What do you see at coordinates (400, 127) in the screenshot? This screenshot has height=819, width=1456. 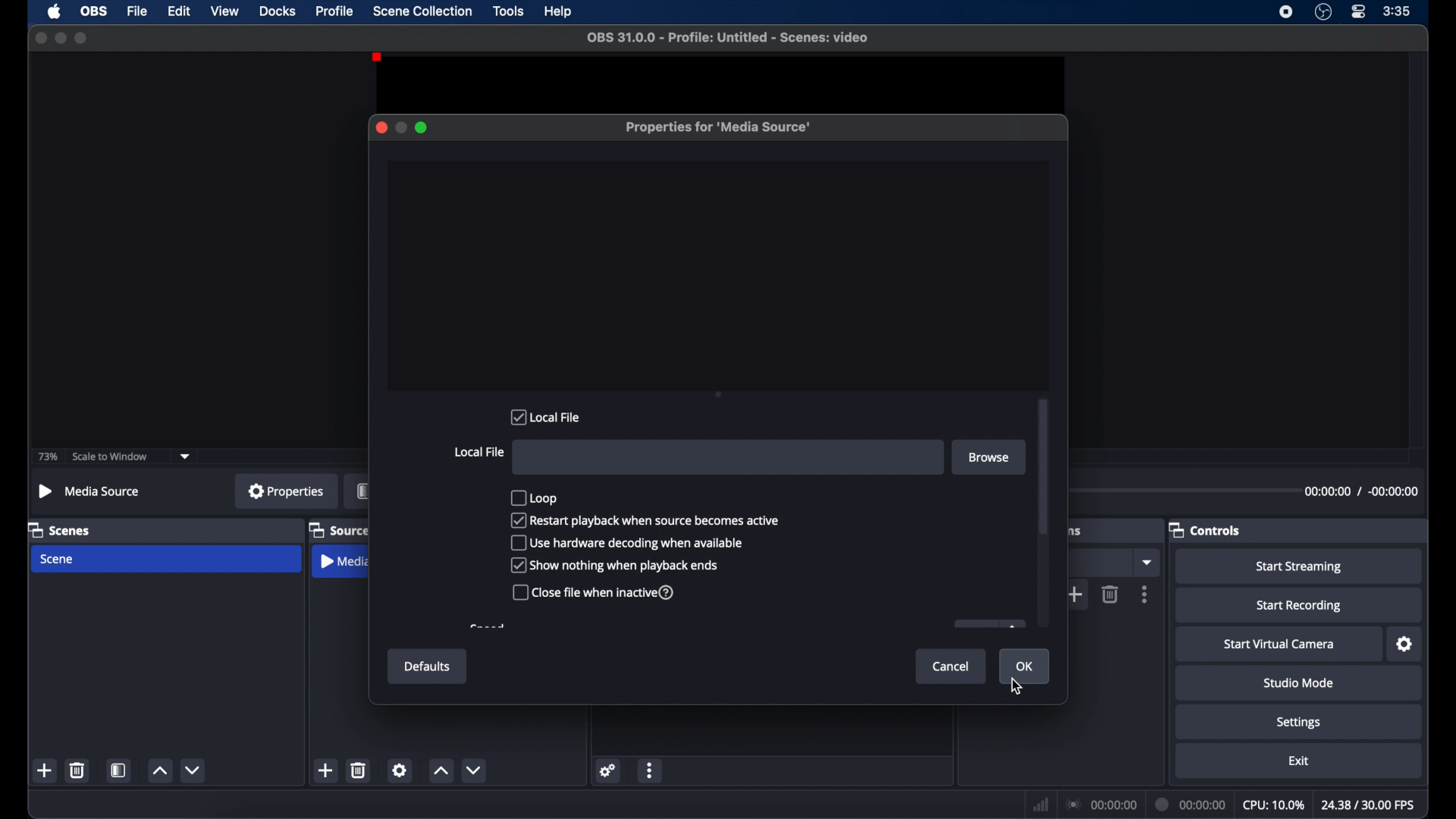 I see `minimize` at bounding box center [400, 127].